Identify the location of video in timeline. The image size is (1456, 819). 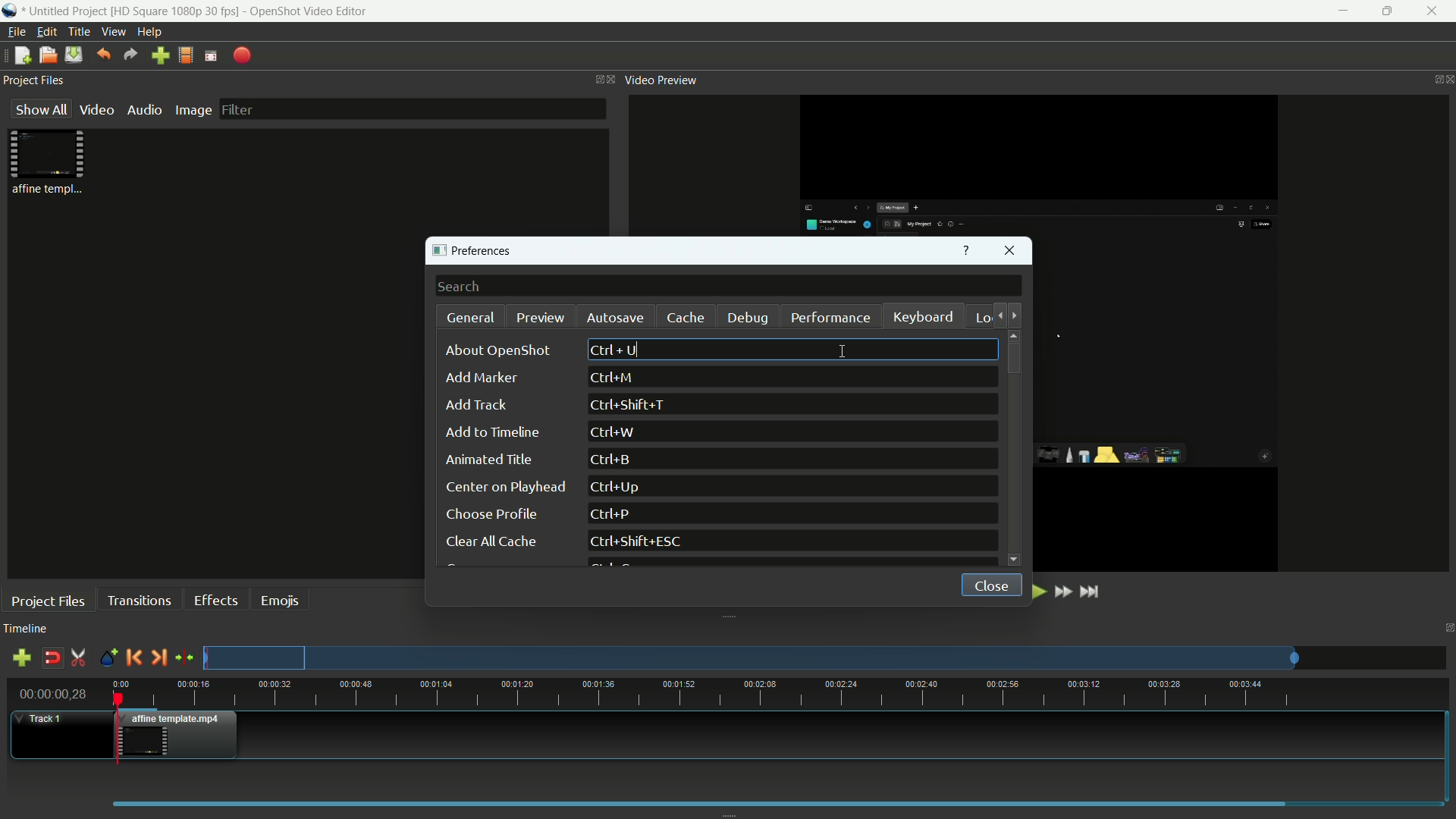
(180, 735).